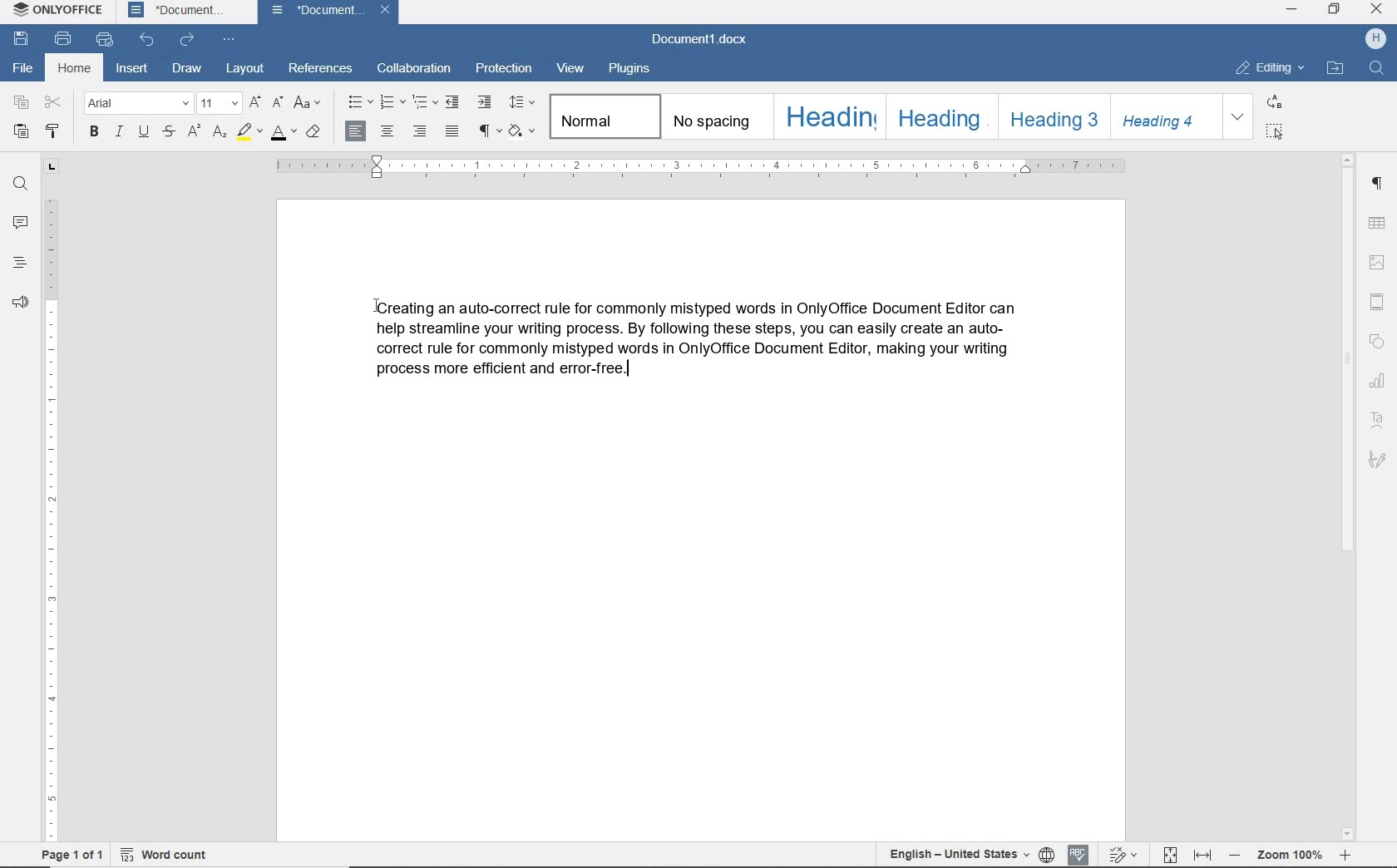 The width and height of the screenshot is (1397, 868). Describe the element at coordinates (1167, 855) in the screenshot. I see `fit to page` at that location.